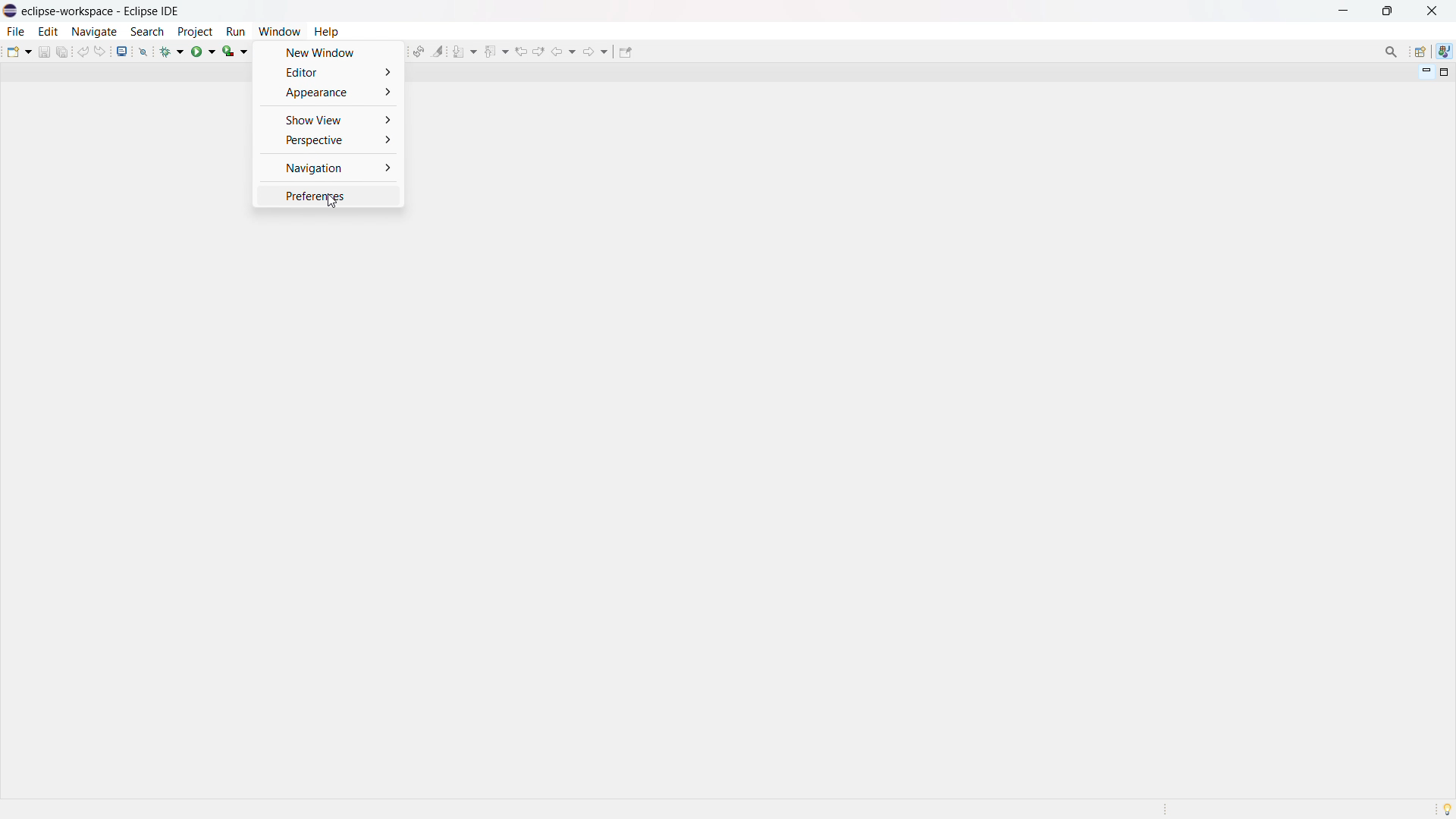 The height and width of the screenshot is (819, 1456). I want to click on next annotation, so click(465, 51).